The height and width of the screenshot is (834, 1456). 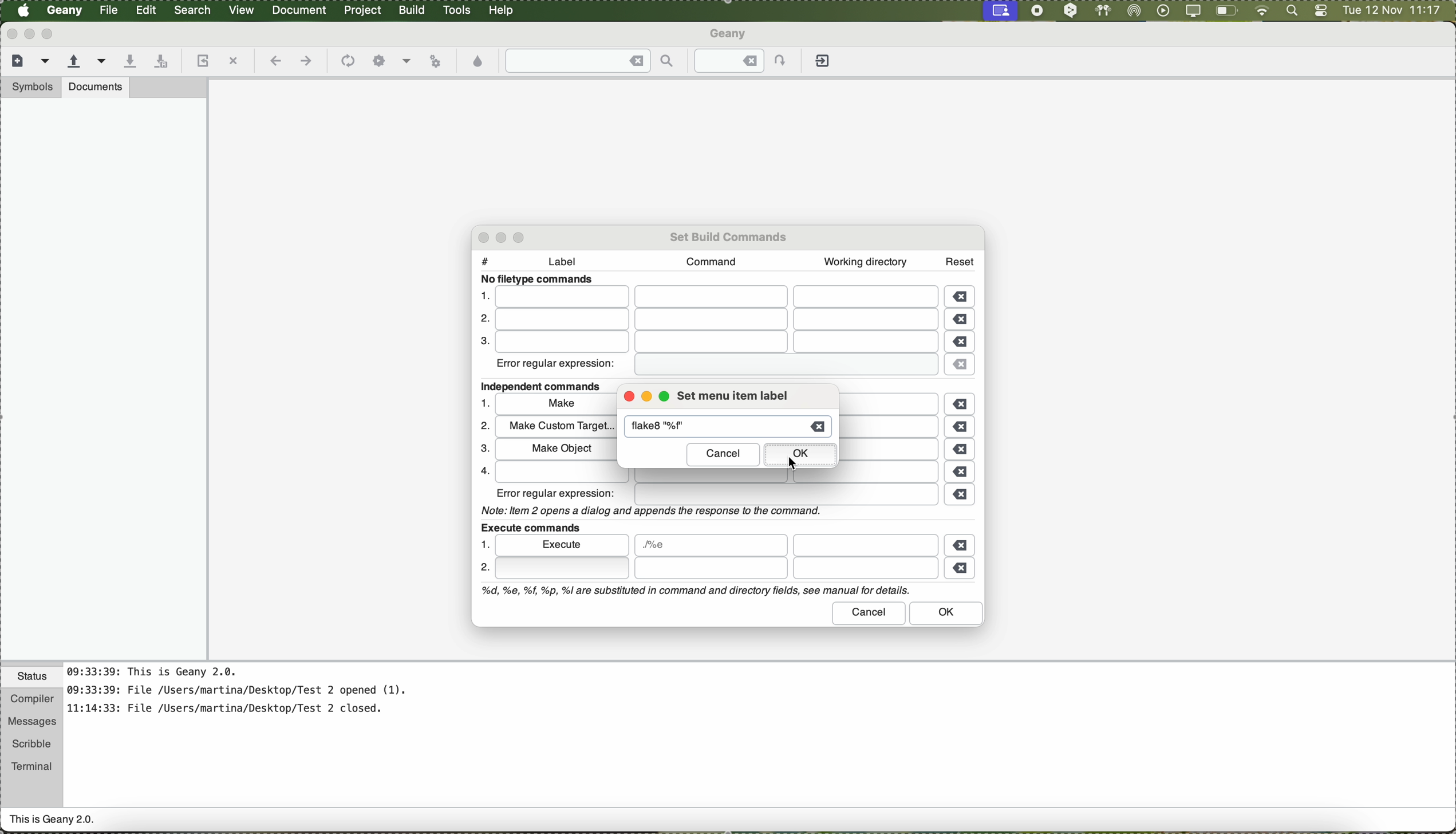 What do you see at coordinates (23, 10) in the screenshot?
I see `Apple icon` at bounding box center [23, 10].